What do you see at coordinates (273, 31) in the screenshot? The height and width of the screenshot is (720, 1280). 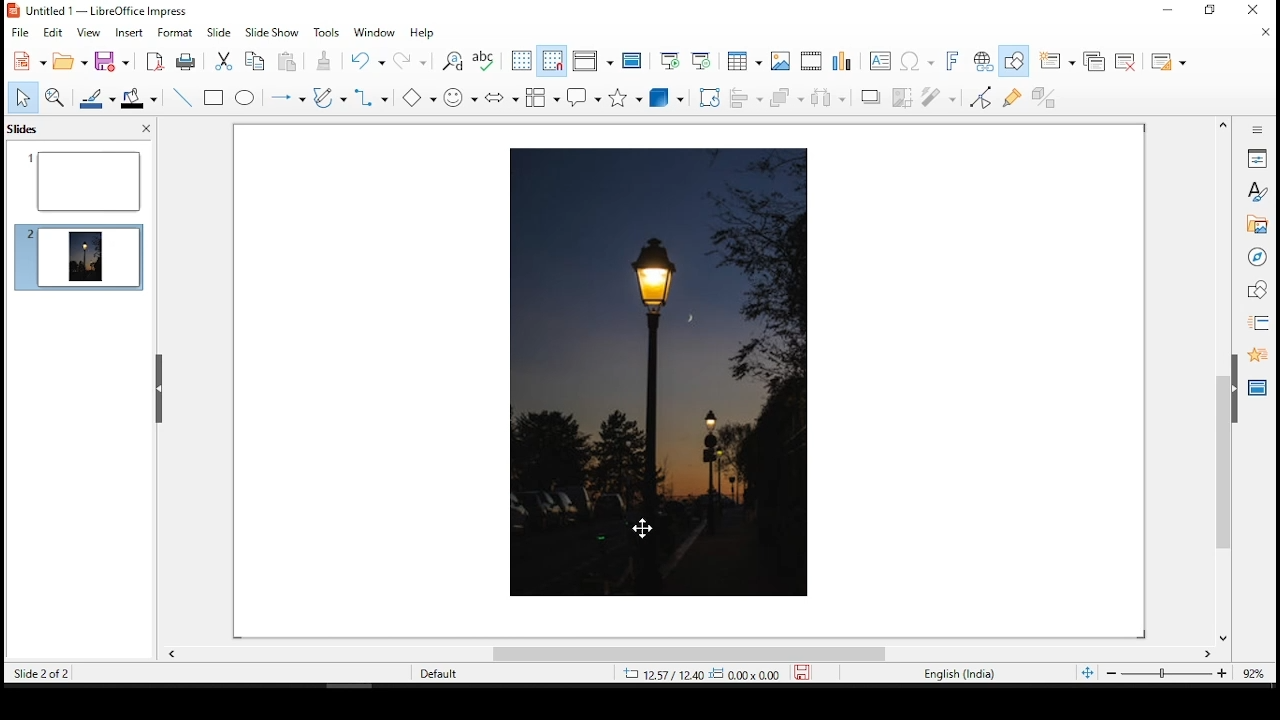 I see `slide show` at bounding box center [273, 31].